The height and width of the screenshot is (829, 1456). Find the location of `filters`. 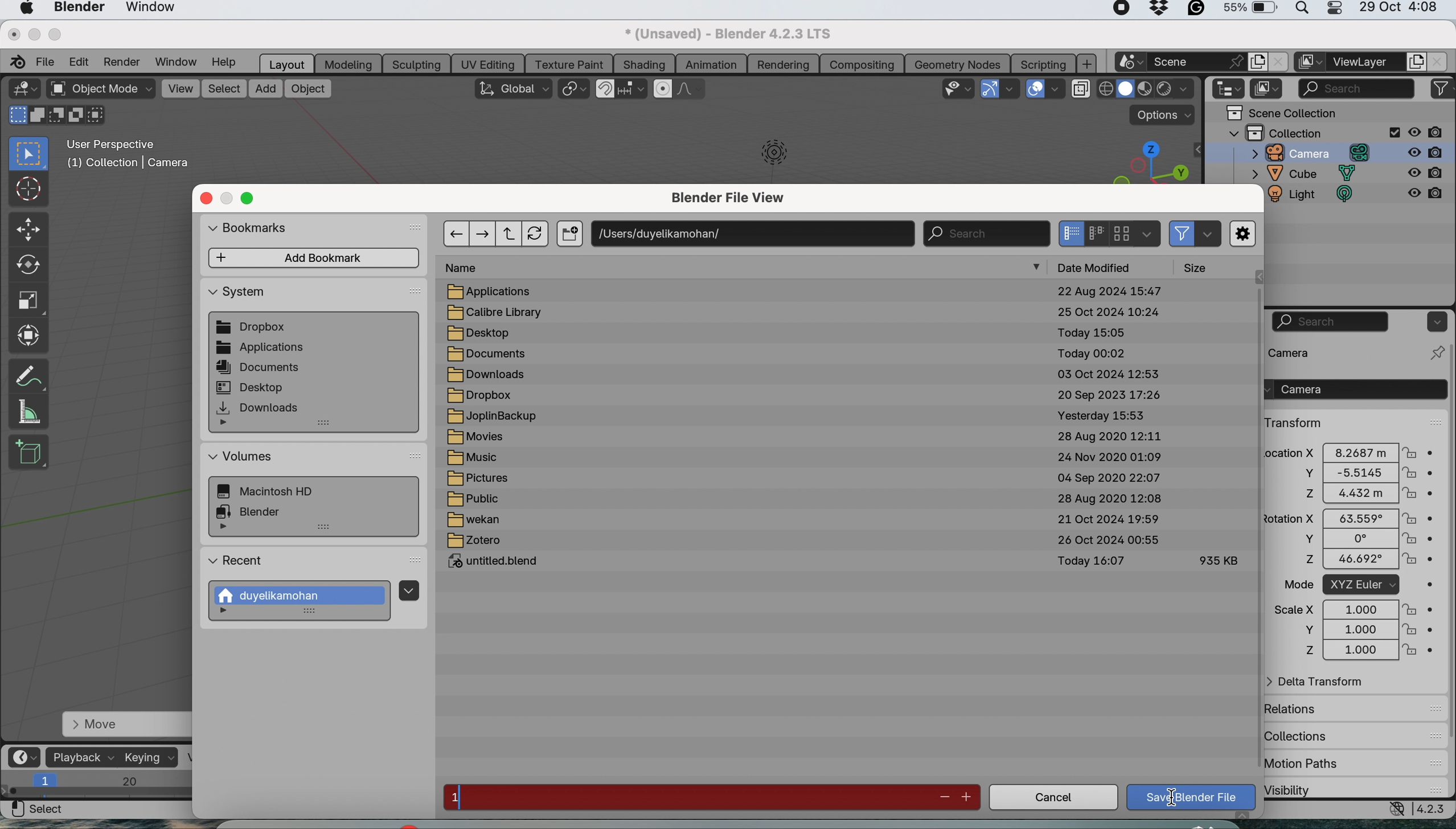

filters is located at coordinates (1442, 89).